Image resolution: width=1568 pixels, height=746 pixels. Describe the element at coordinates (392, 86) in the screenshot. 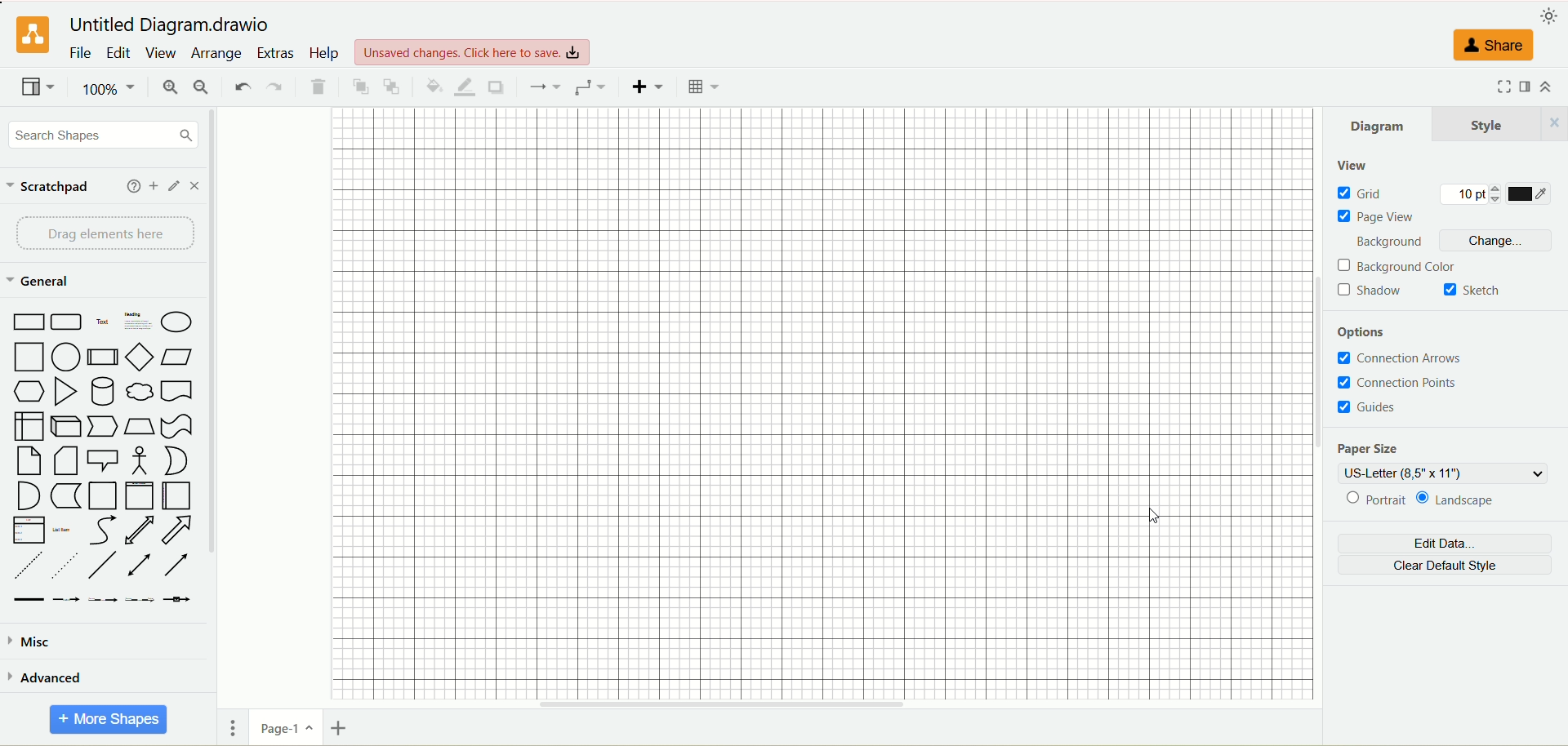

I see `to back` at that location.